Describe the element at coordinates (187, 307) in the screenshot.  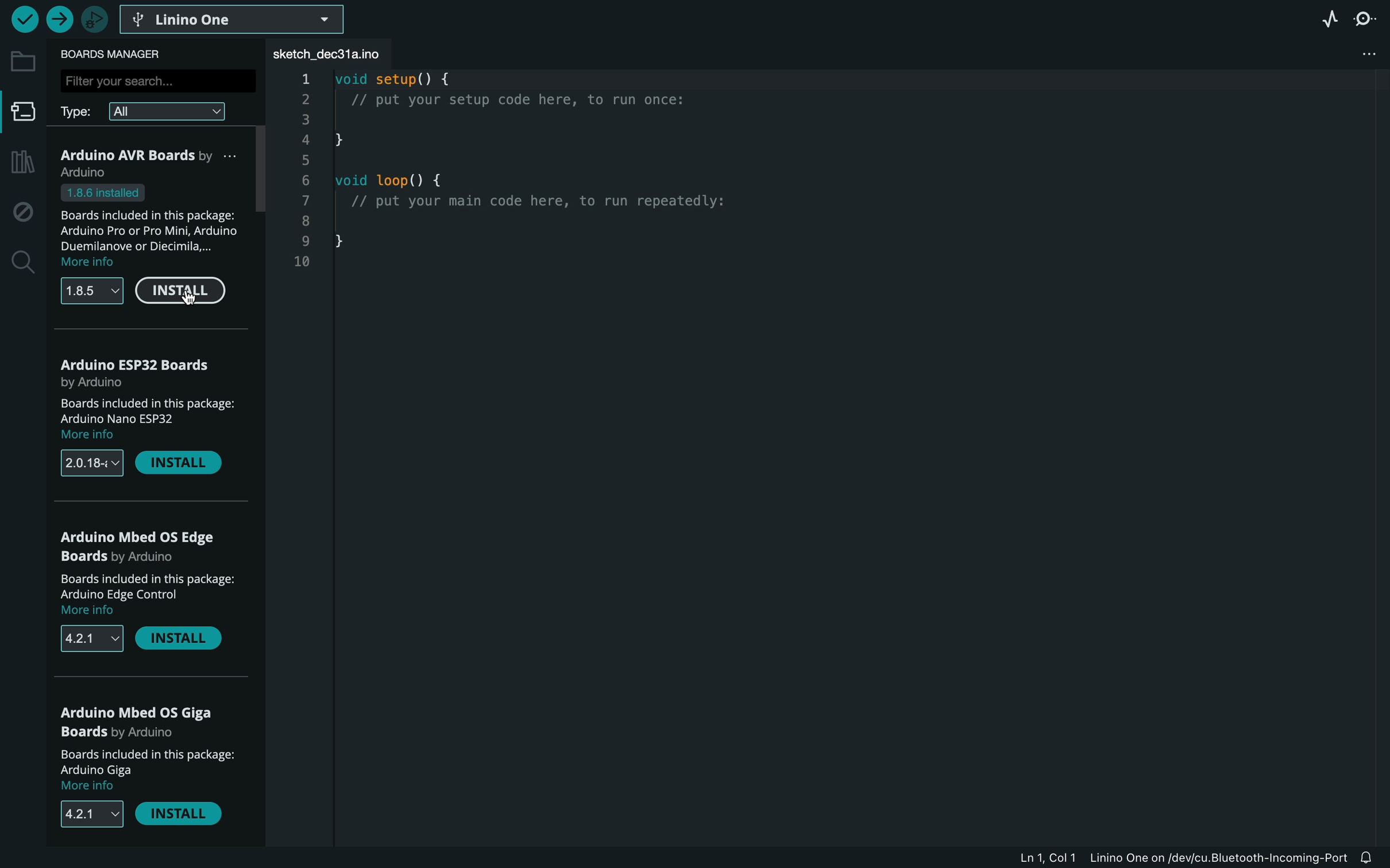
I see `cursor` at that location.